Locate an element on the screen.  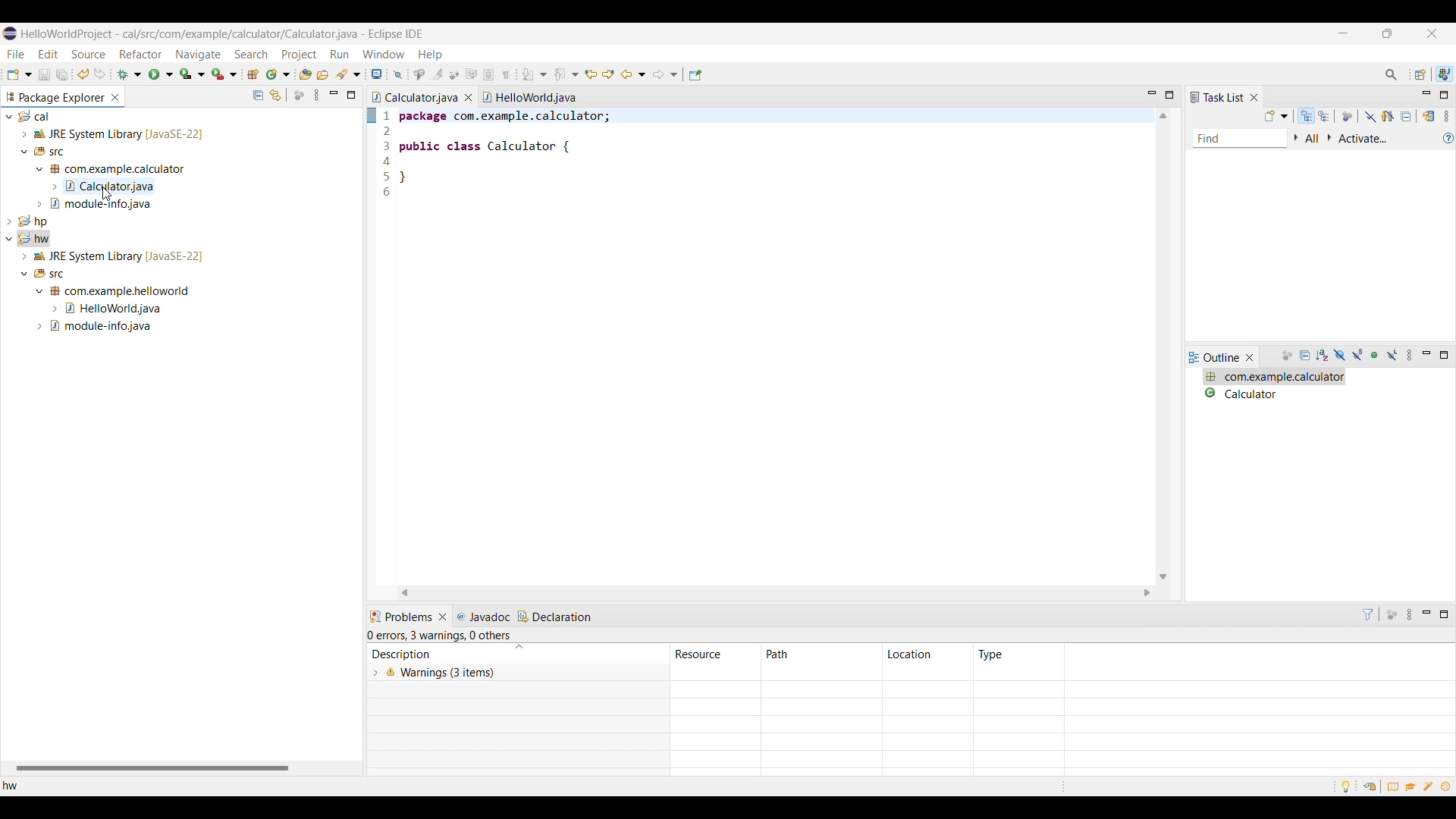
task list is located at coordinates (1217, 97).